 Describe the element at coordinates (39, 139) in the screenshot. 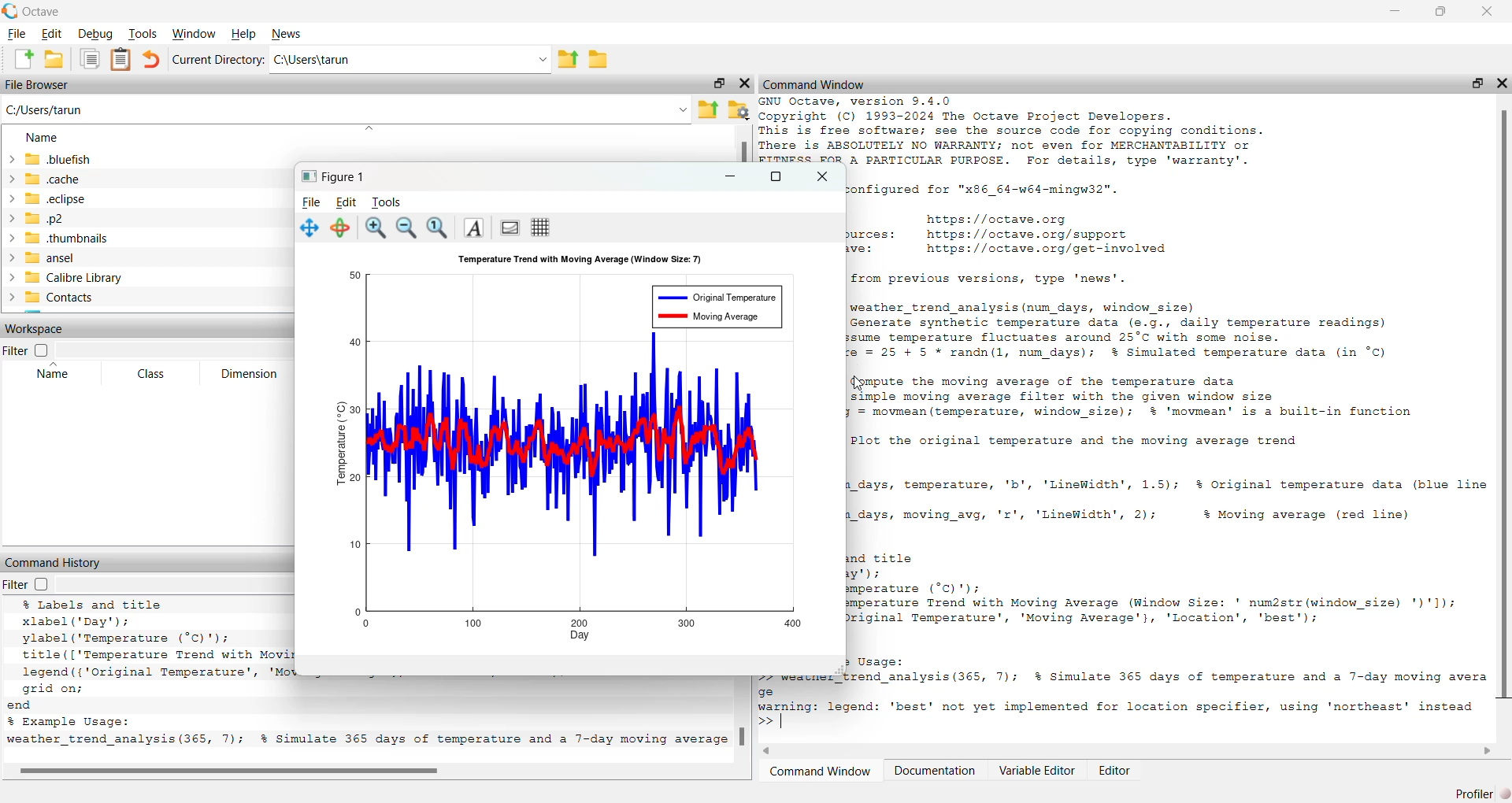

I see `Name` at that location.